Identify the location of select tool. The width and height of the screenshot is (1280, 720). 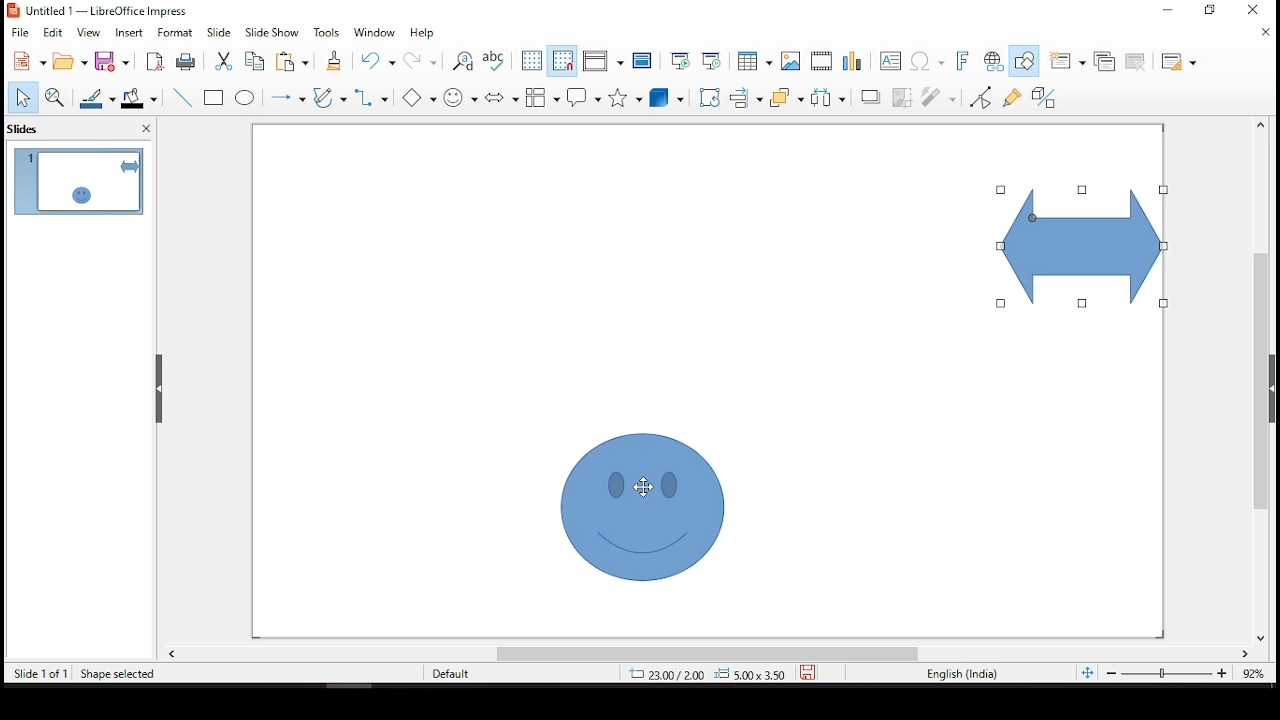
(23, 96).